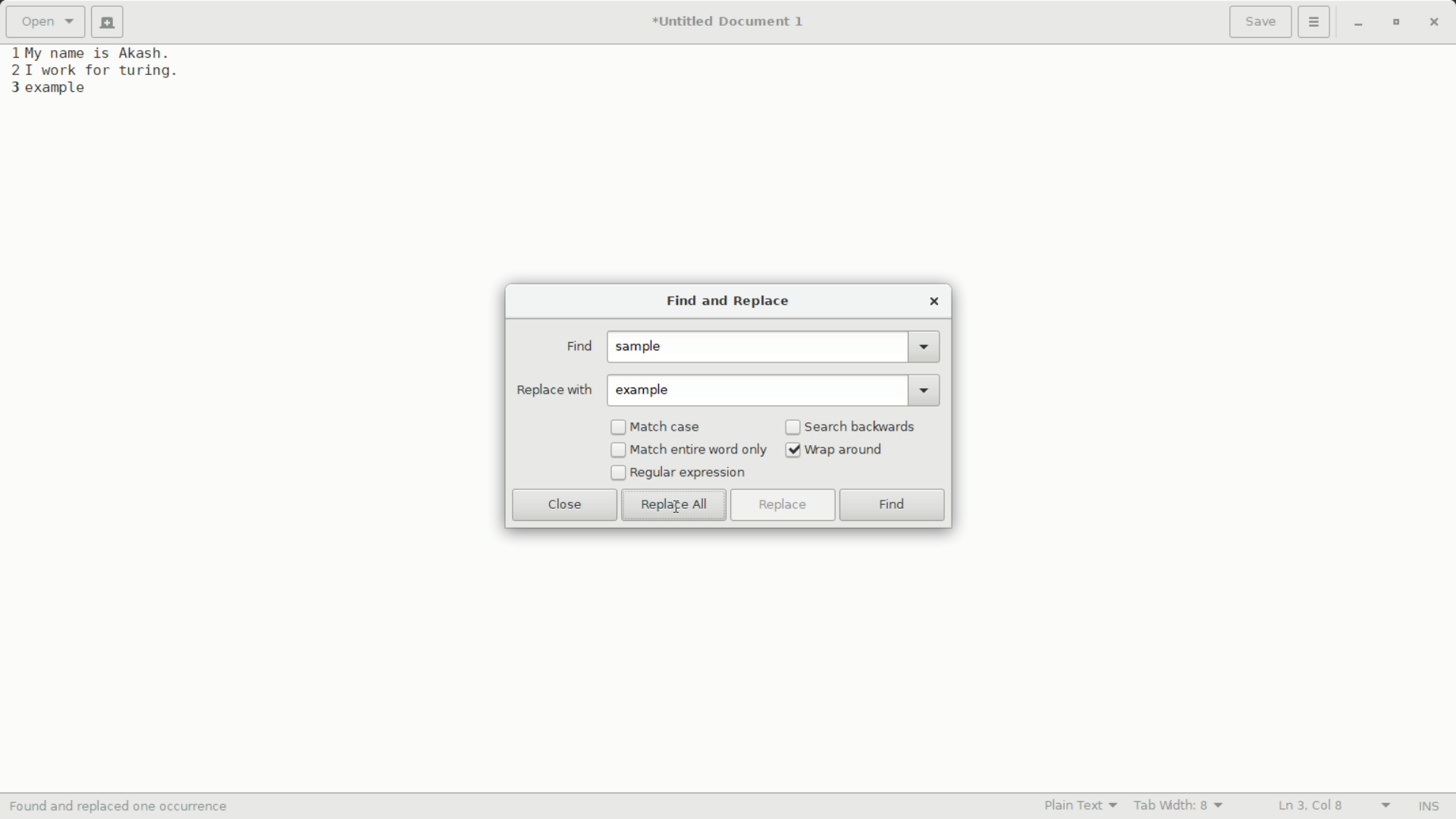  Describe the element at coordinates (11, 88) in the screenshot. I see `3` at that location.